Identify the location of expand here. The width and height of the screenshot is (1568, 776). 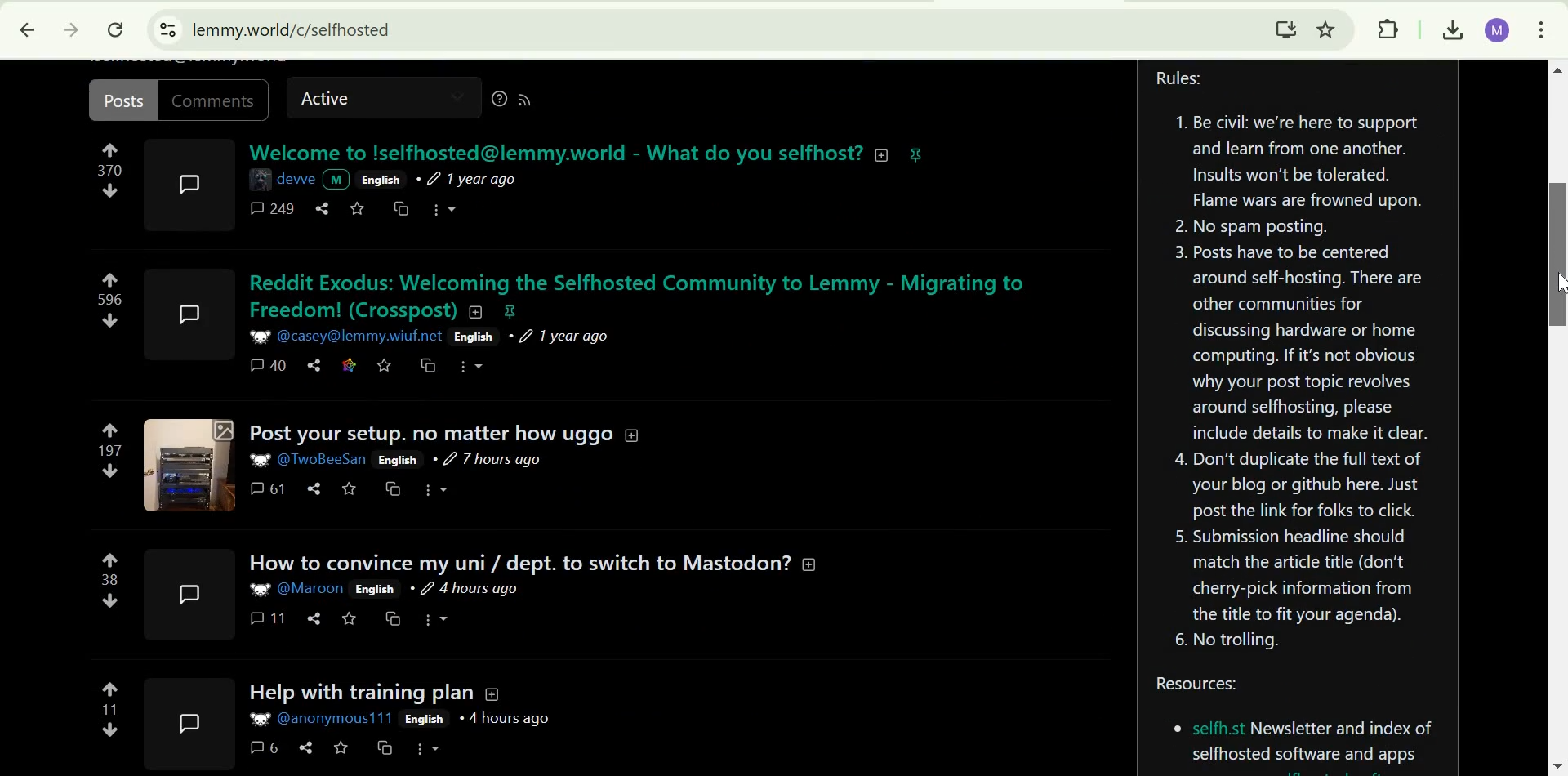
(185, 723).